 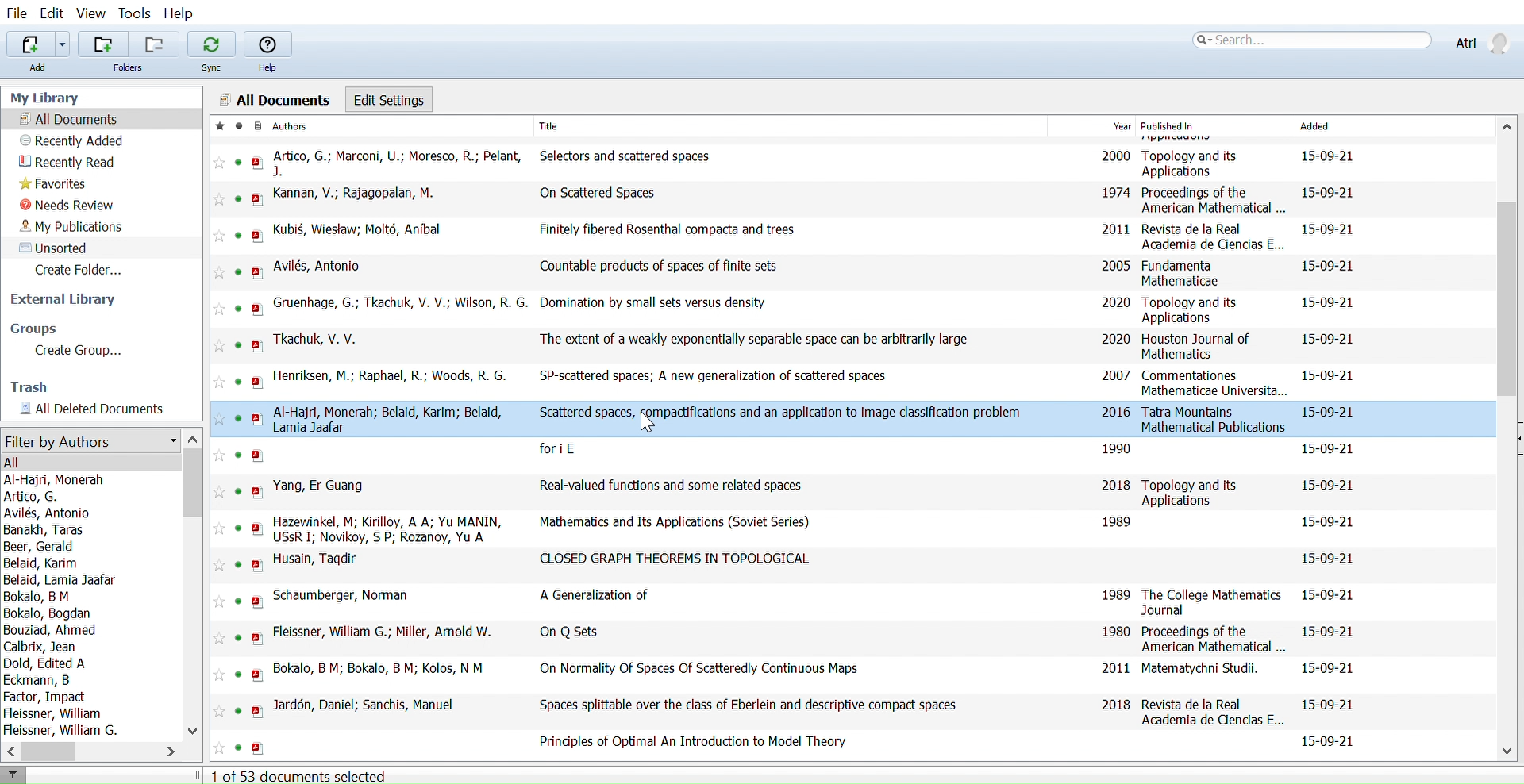 I want to click on Search, so click(x=1310, y=40).